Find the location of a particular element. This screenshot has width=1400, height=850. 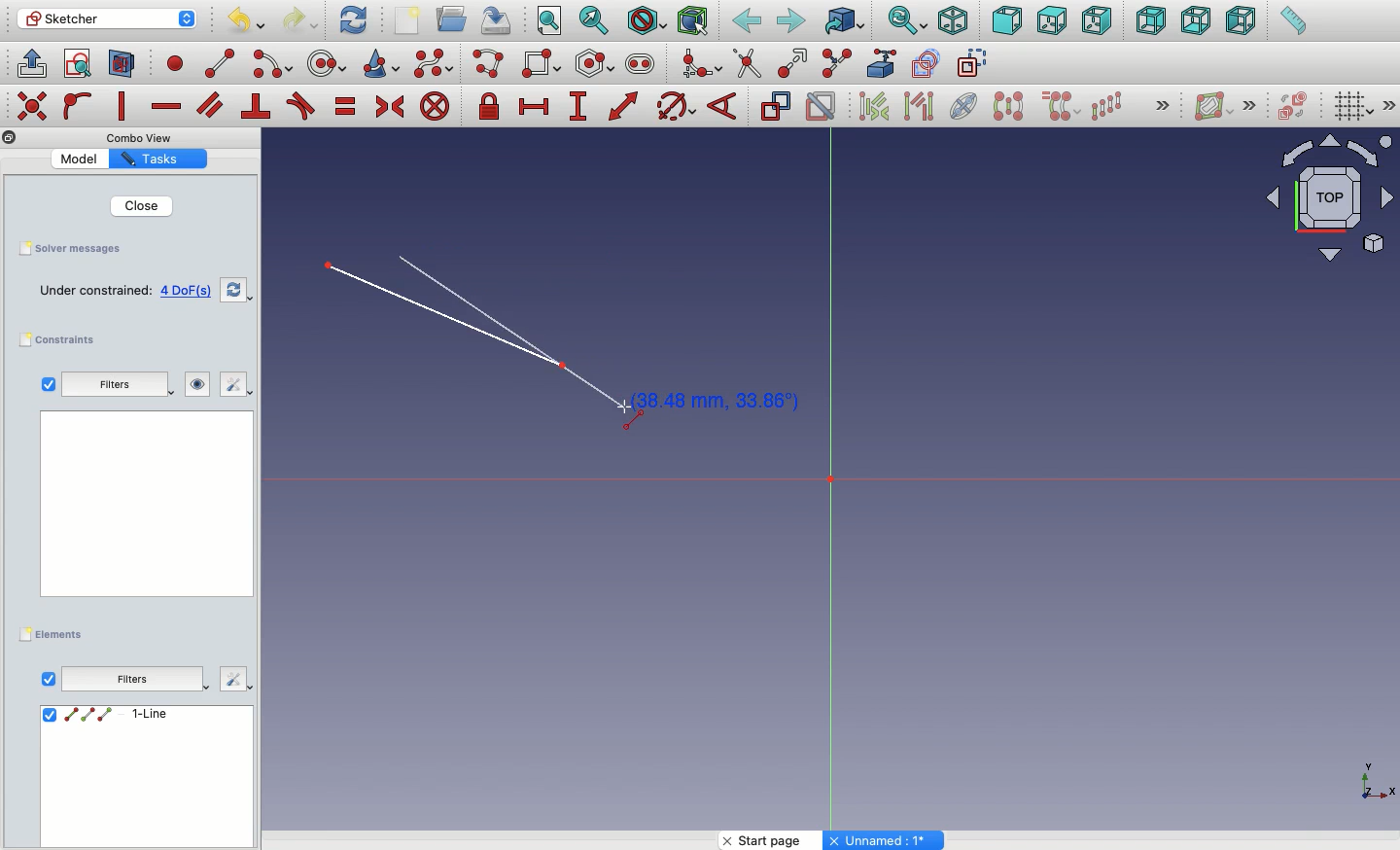

Fit selection is located at coordinates (596, 19).